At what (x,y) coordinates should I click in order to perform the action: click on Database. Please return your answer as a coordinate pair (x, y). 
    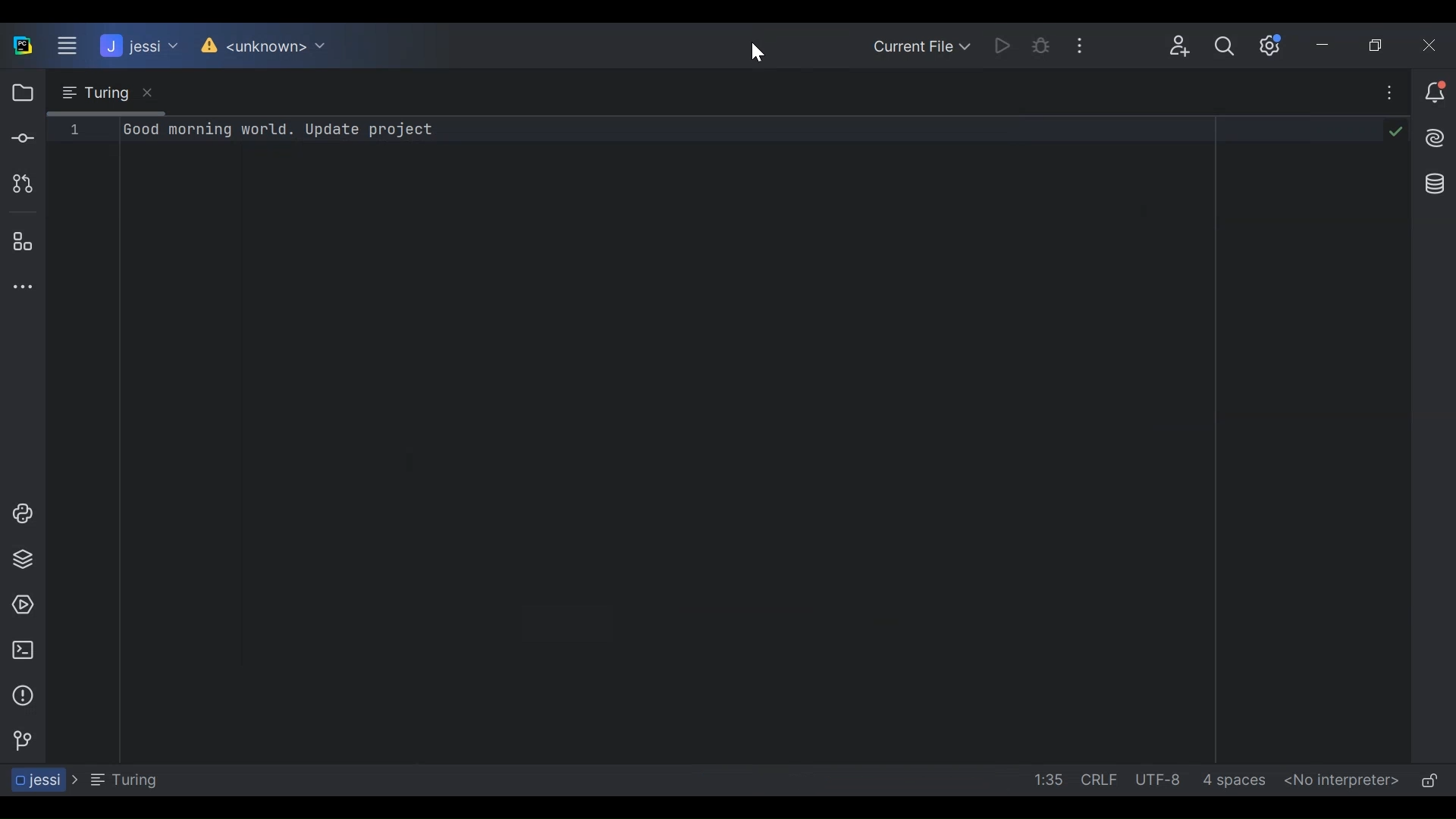
    Looking at the image, I should click on (1431, 182).